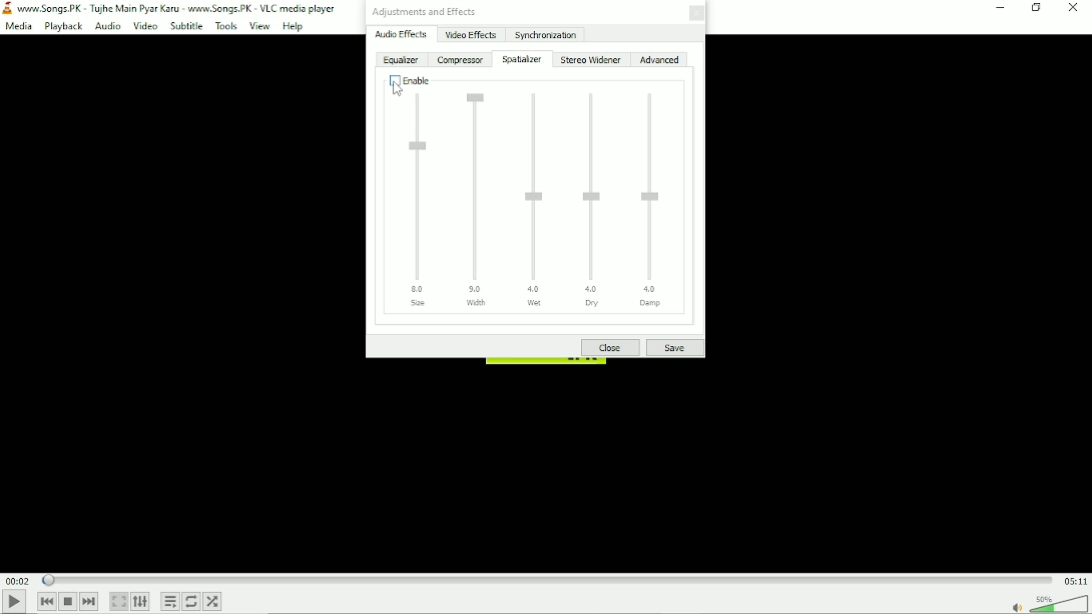  Describe the element at coordinates (14, 602) in the screenshot. I see `Play` at that location.